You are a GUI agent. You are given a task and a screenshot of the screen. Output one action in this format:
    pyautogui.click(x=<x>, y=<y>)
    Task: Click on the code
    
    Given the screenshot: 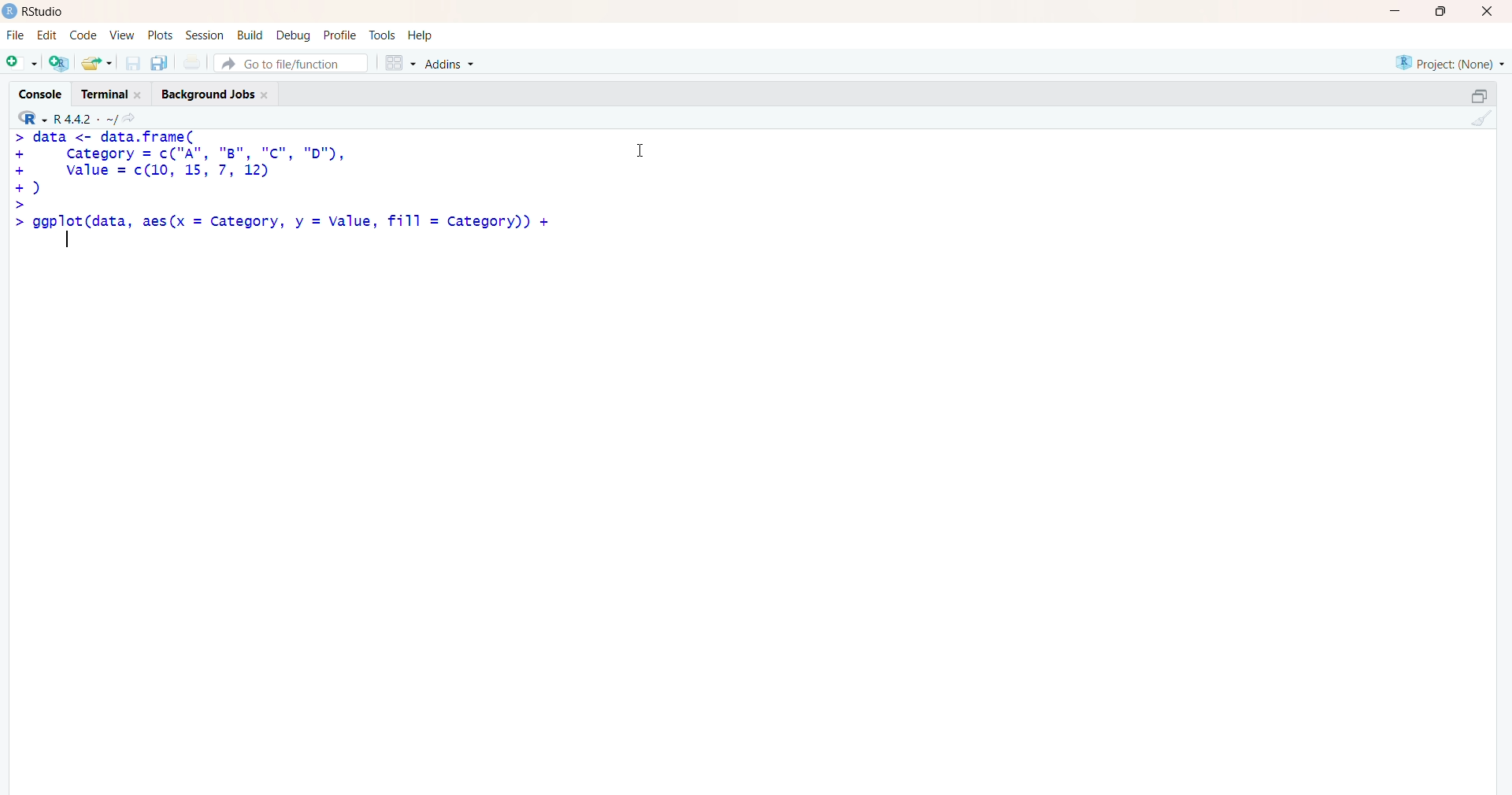 What is the action you would take?
    pyautogui.click(x=83, y=35)
    